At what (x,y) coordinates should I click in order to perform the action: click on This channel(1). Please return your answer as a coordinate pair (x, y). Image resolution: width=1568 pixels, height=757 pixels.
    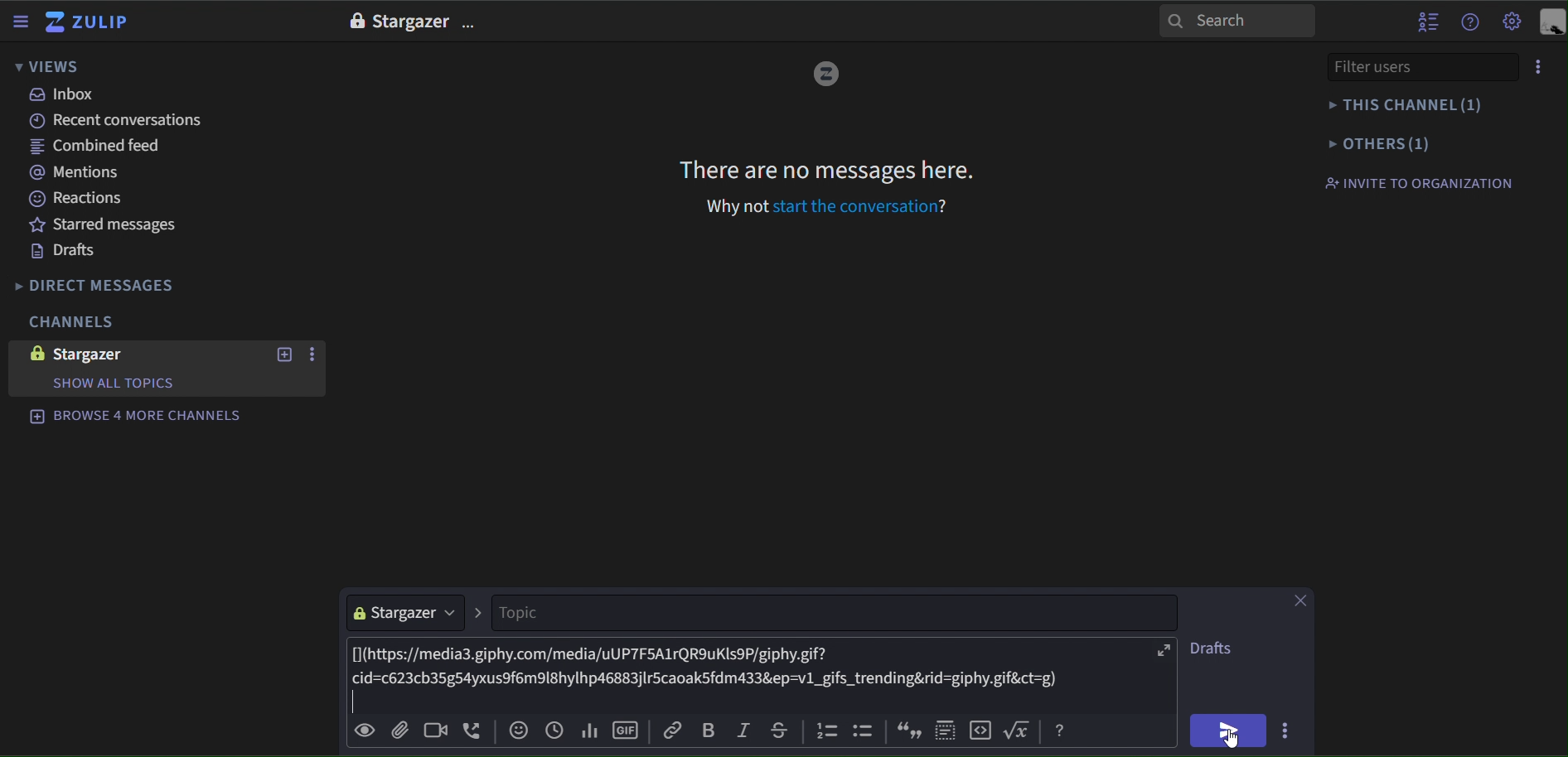
    Looking at the image, I should click on (1412, 105).